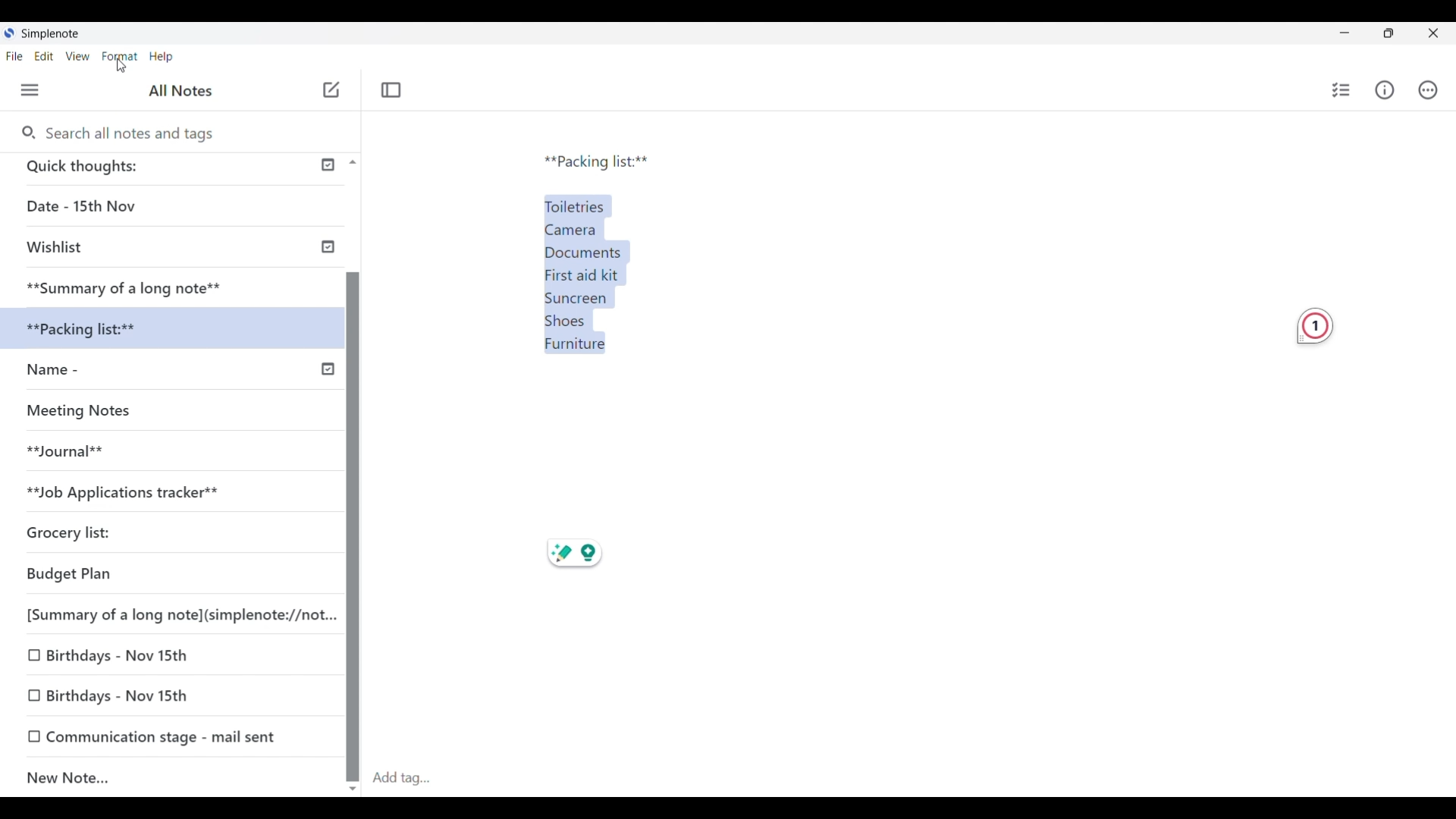  Describe the element at coordinates (328, 267) in the screenshot. I see `Check icon indicating published notes` at that location.